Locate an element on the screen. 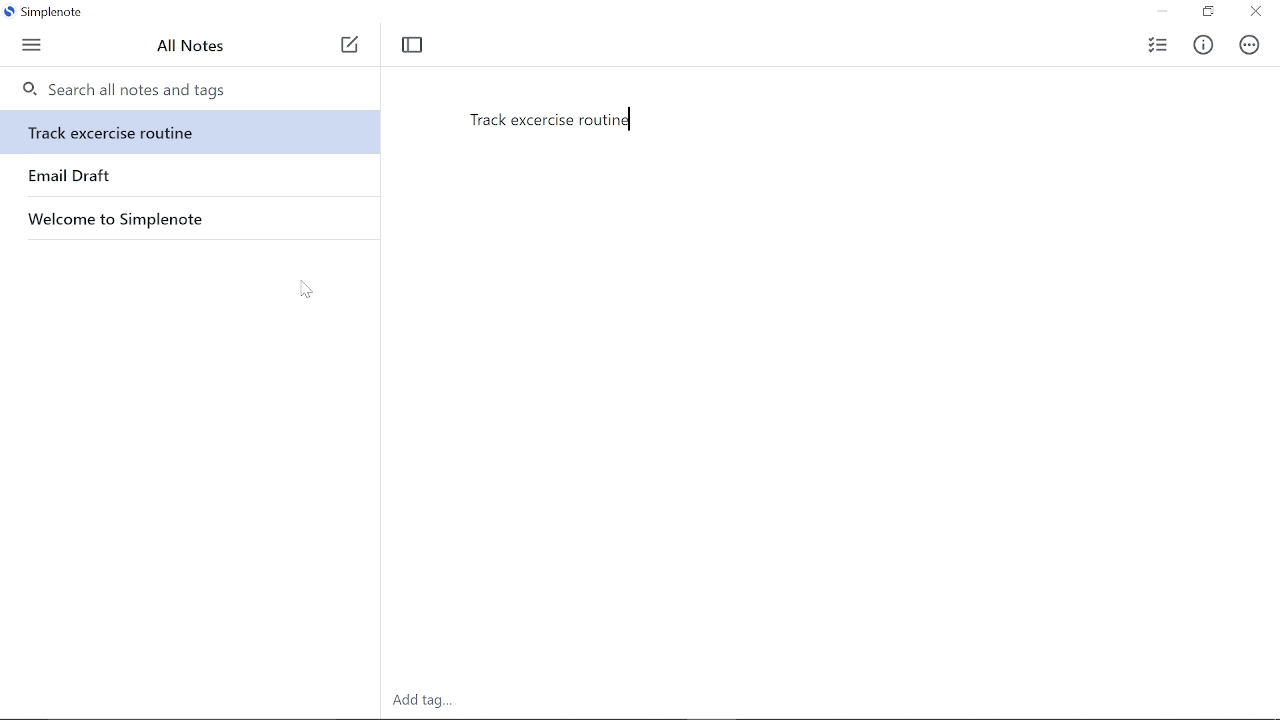 The image size is (1280, 720). New note added to track exercise routine is located at coordinates (554, 121).